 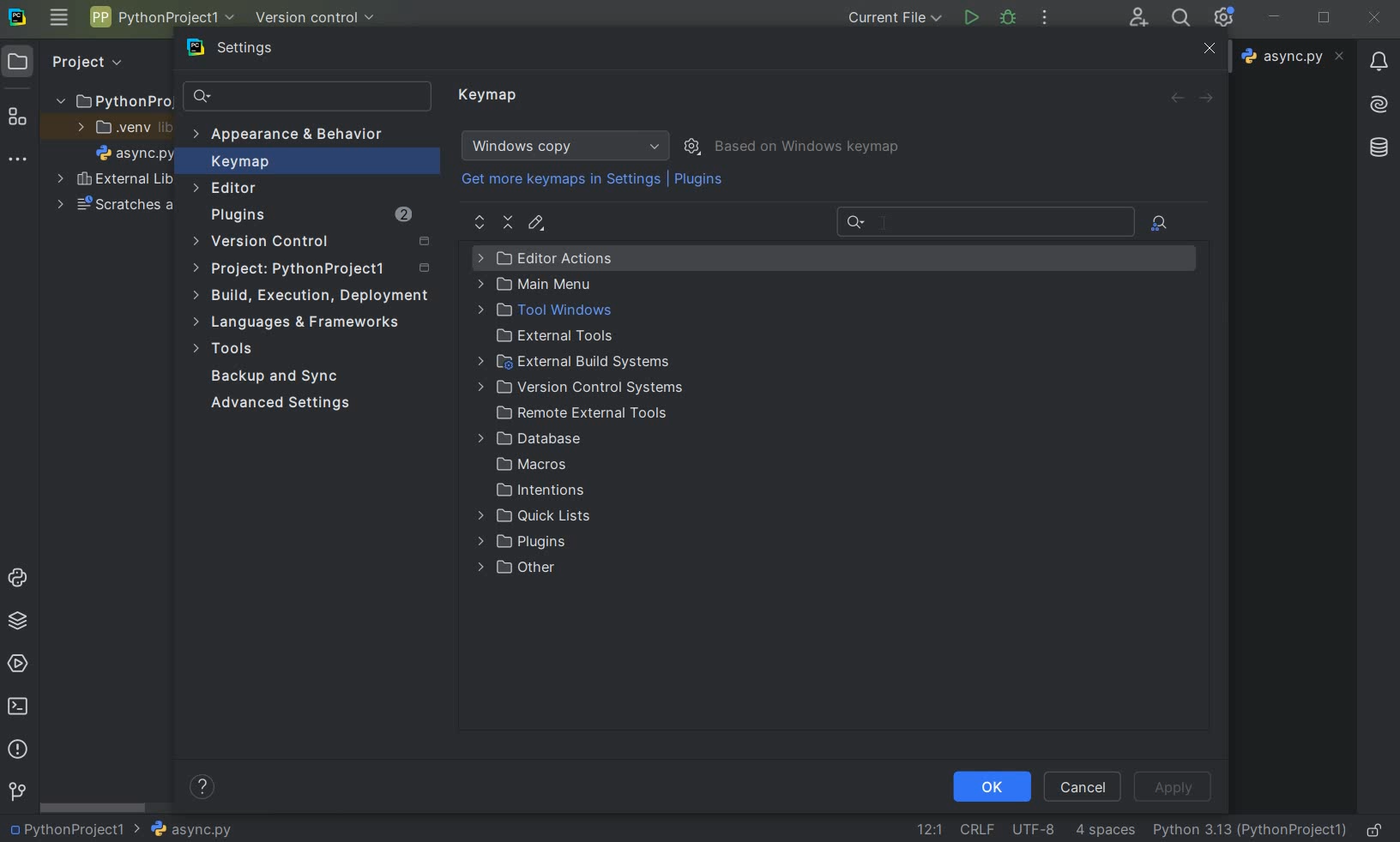 What do you see at coordinates (312, 295) in the screenshot?
I see `build, execution, deployment` at bounding box center [312, 295].